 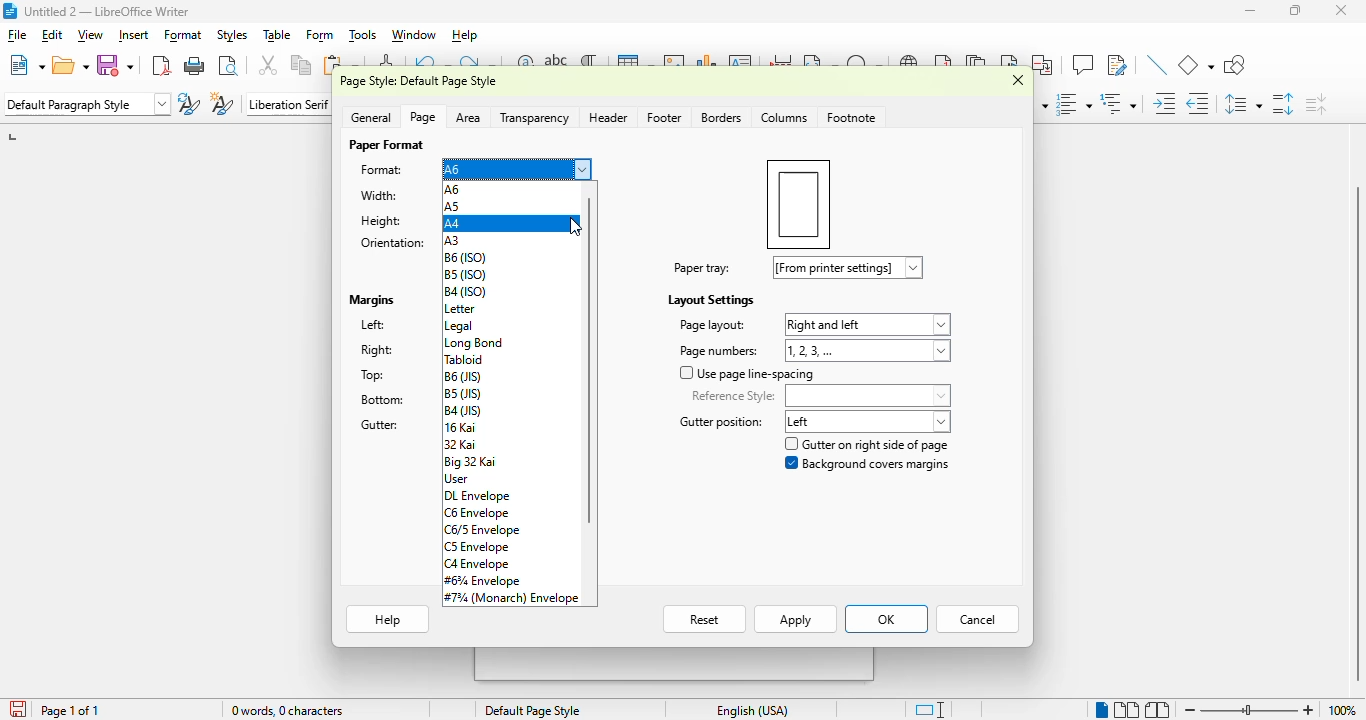 What do you see at coordinates (1019, 80) in the screenshot?
I see `close` at bounding box center [1019, 80].